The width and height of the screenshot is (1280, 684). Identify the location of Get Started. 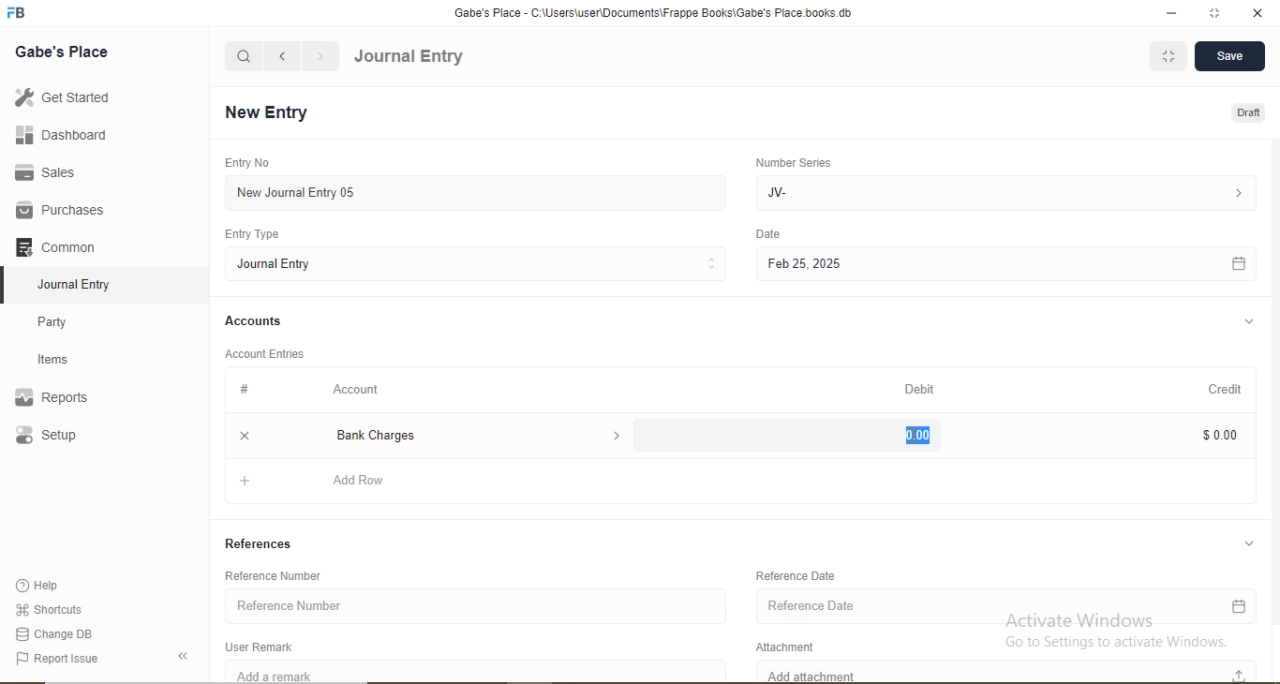
(60, 97).